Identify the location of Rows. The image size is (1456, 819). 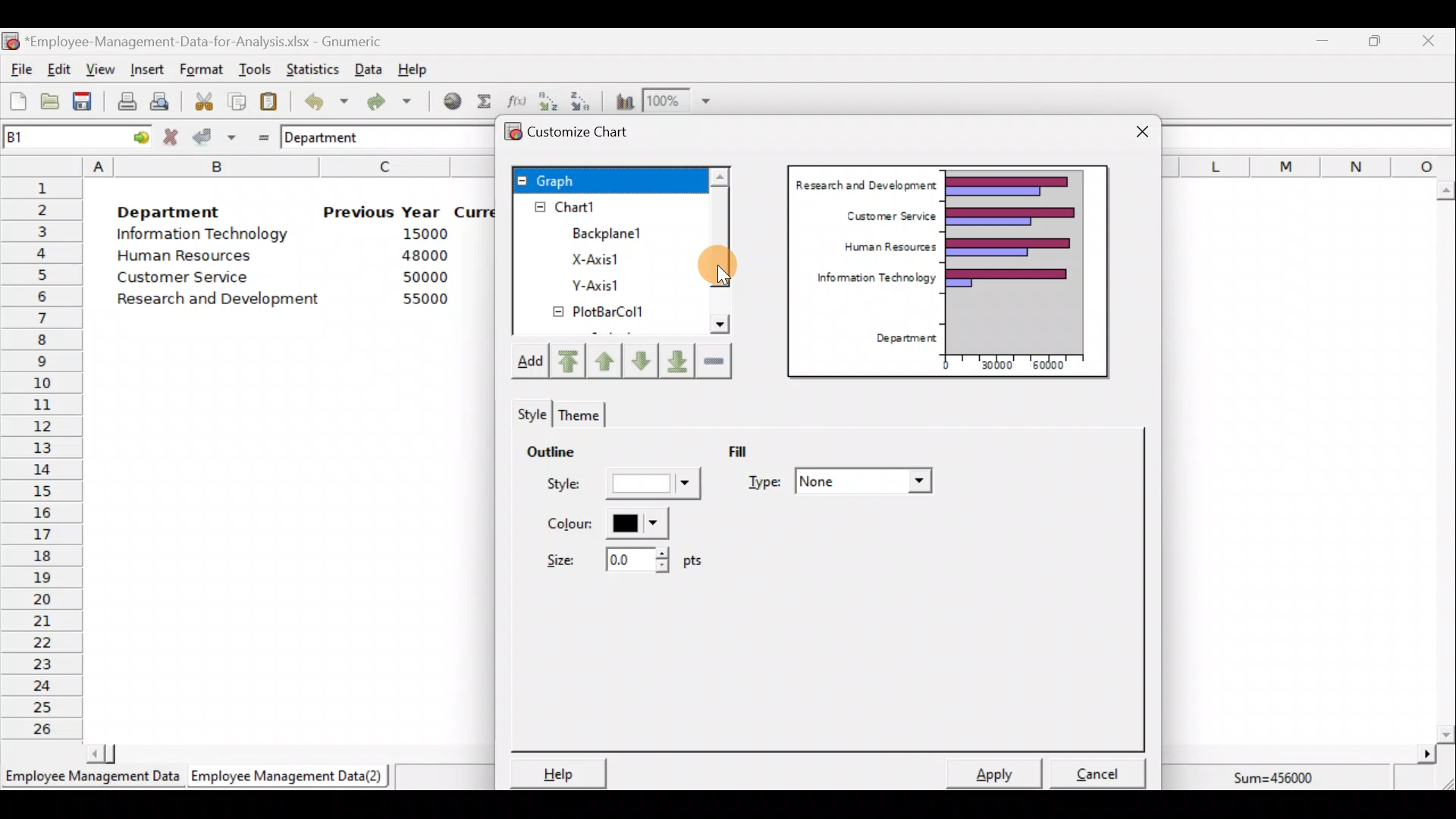
(42, 456).